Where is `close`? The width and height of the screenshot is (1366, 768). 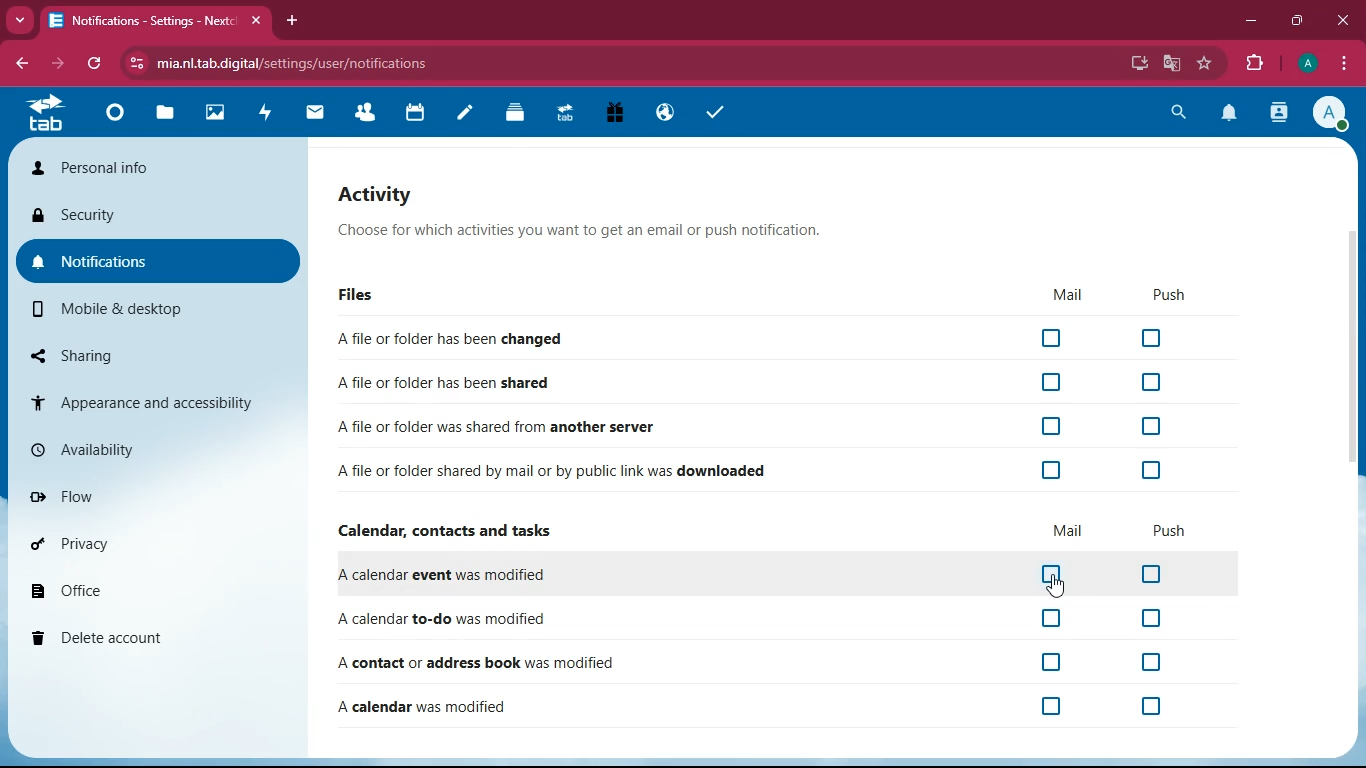
close is located at coordinates (1342, 22).